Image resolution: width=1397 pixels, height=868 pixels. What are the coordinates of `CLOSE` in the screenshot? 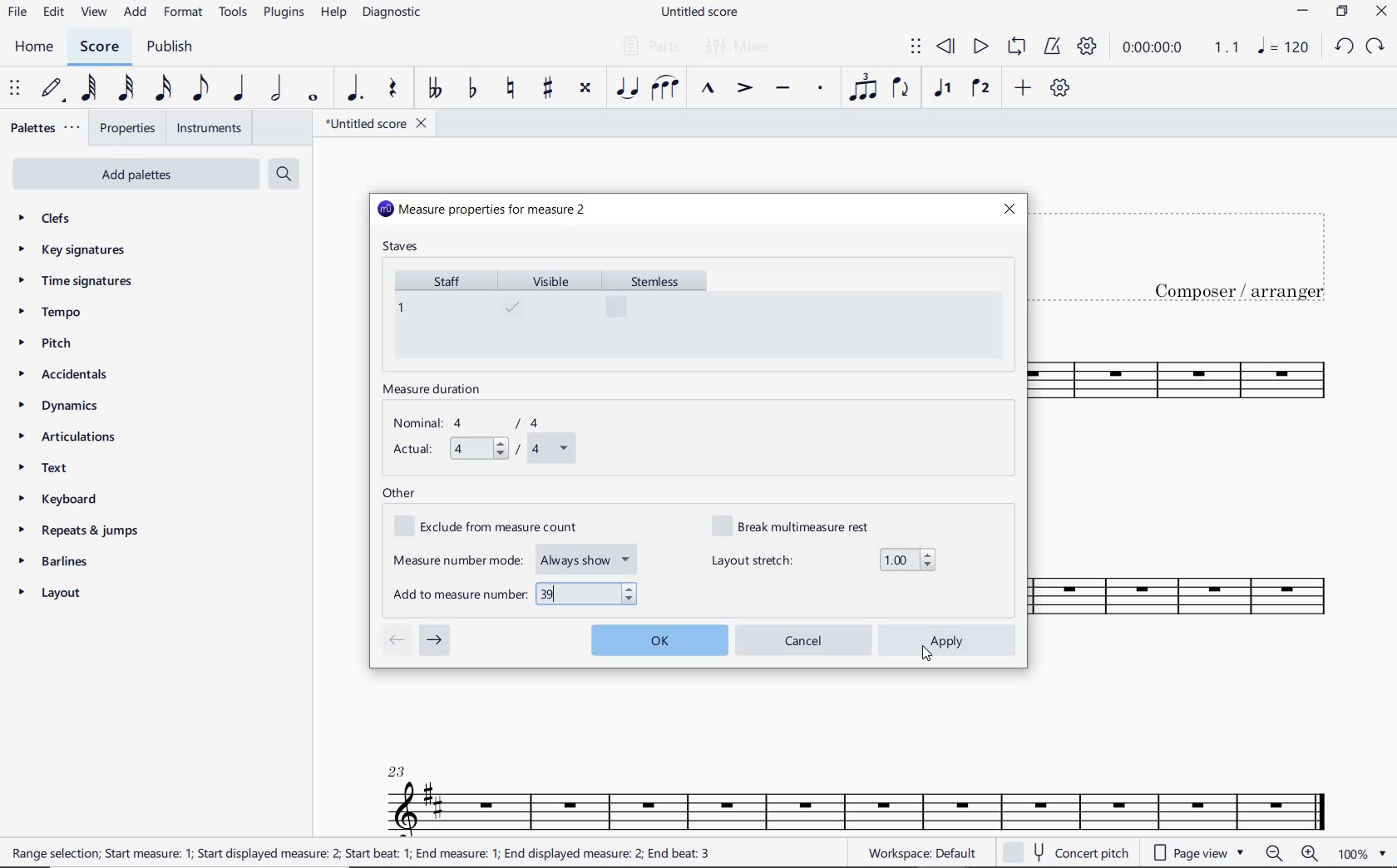 It's located at (1381, 13).